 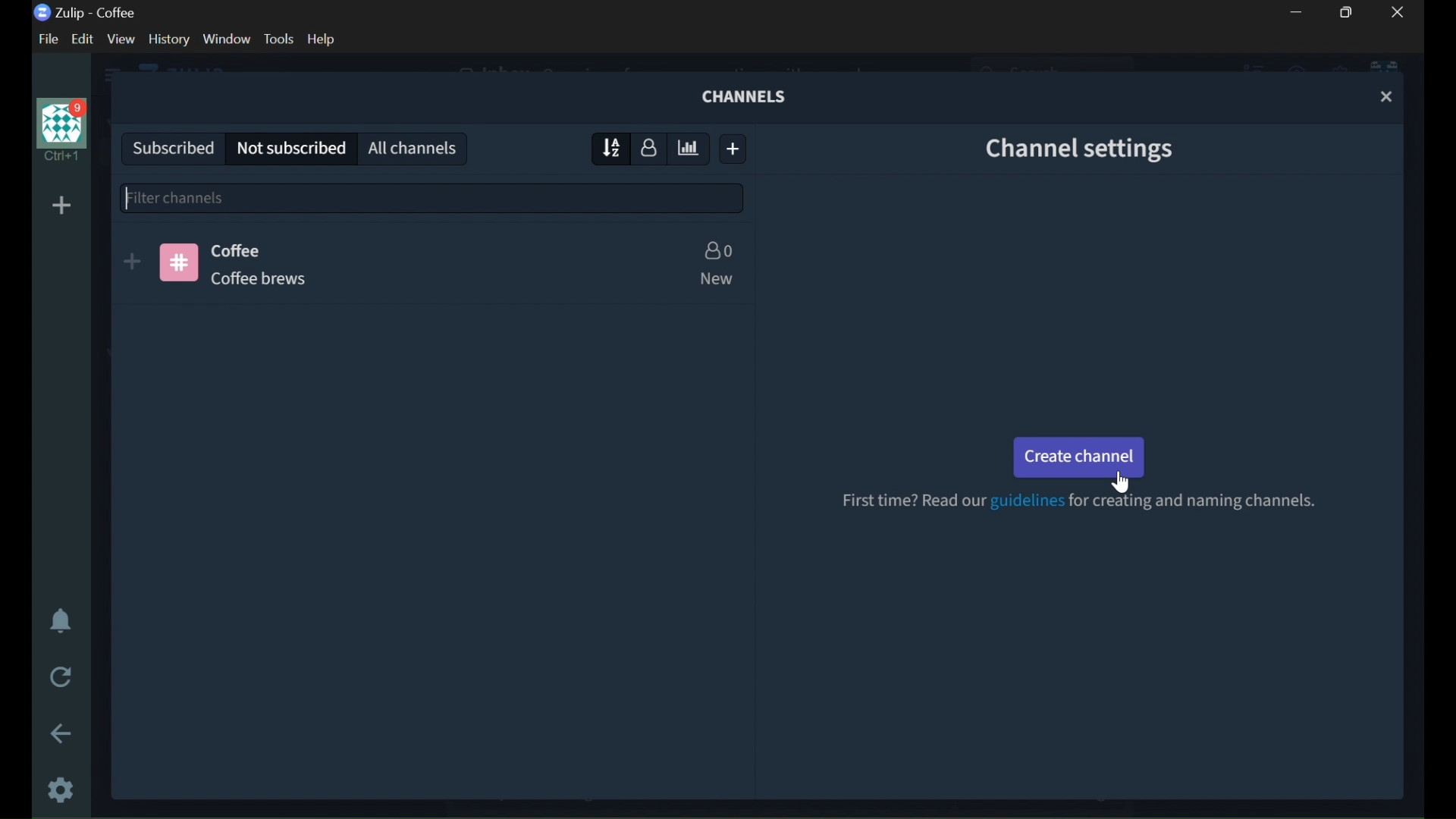 What do you see at coordinates (650, 147) in the screenshot?
I see `SORT BY NUMBER` at bounding box center [650, 147].